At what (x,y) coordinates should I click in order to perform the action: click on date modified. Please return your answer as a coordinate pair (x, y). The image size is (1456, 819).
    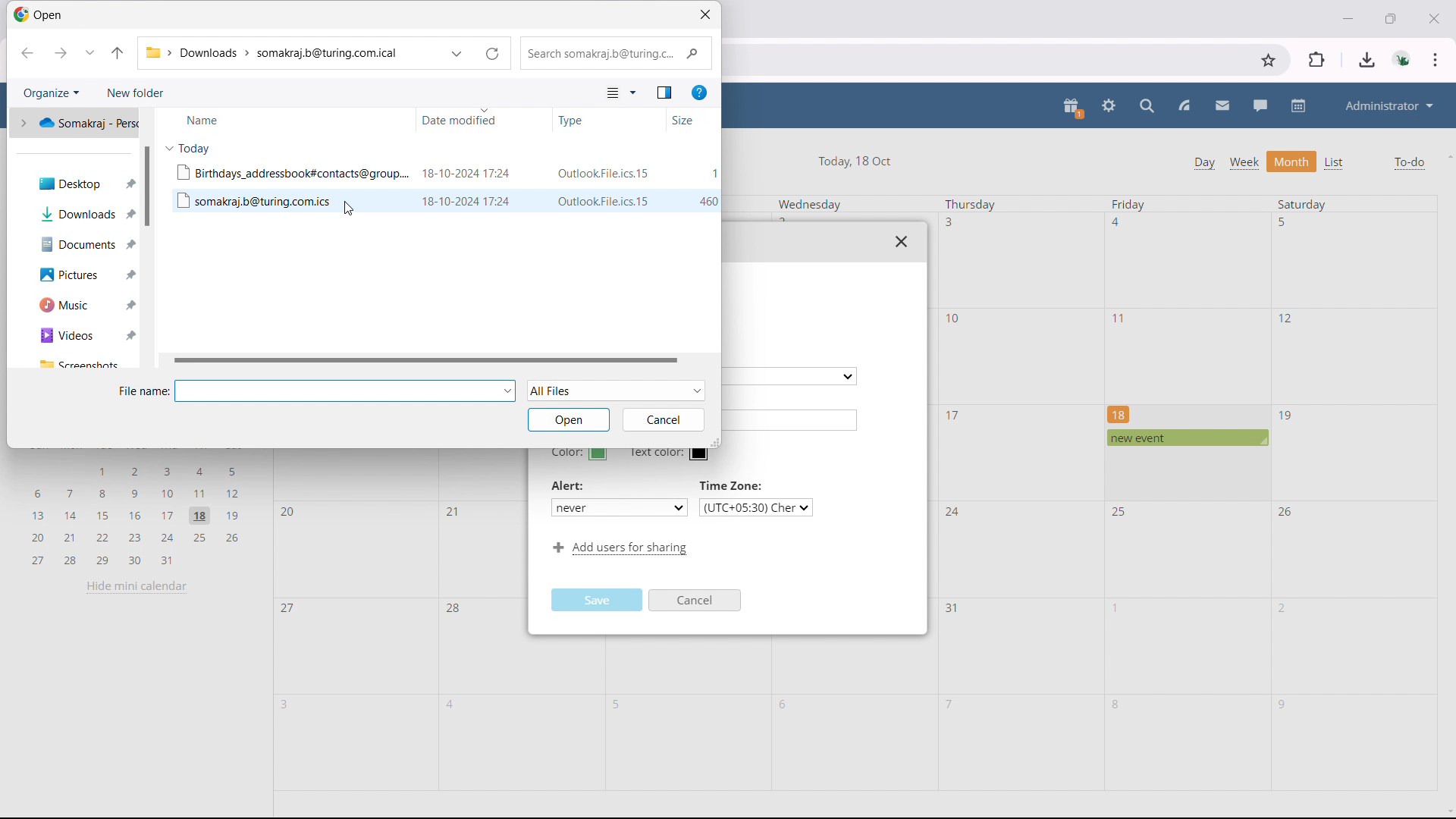
    Looking at the image, I should click on (483, 120).